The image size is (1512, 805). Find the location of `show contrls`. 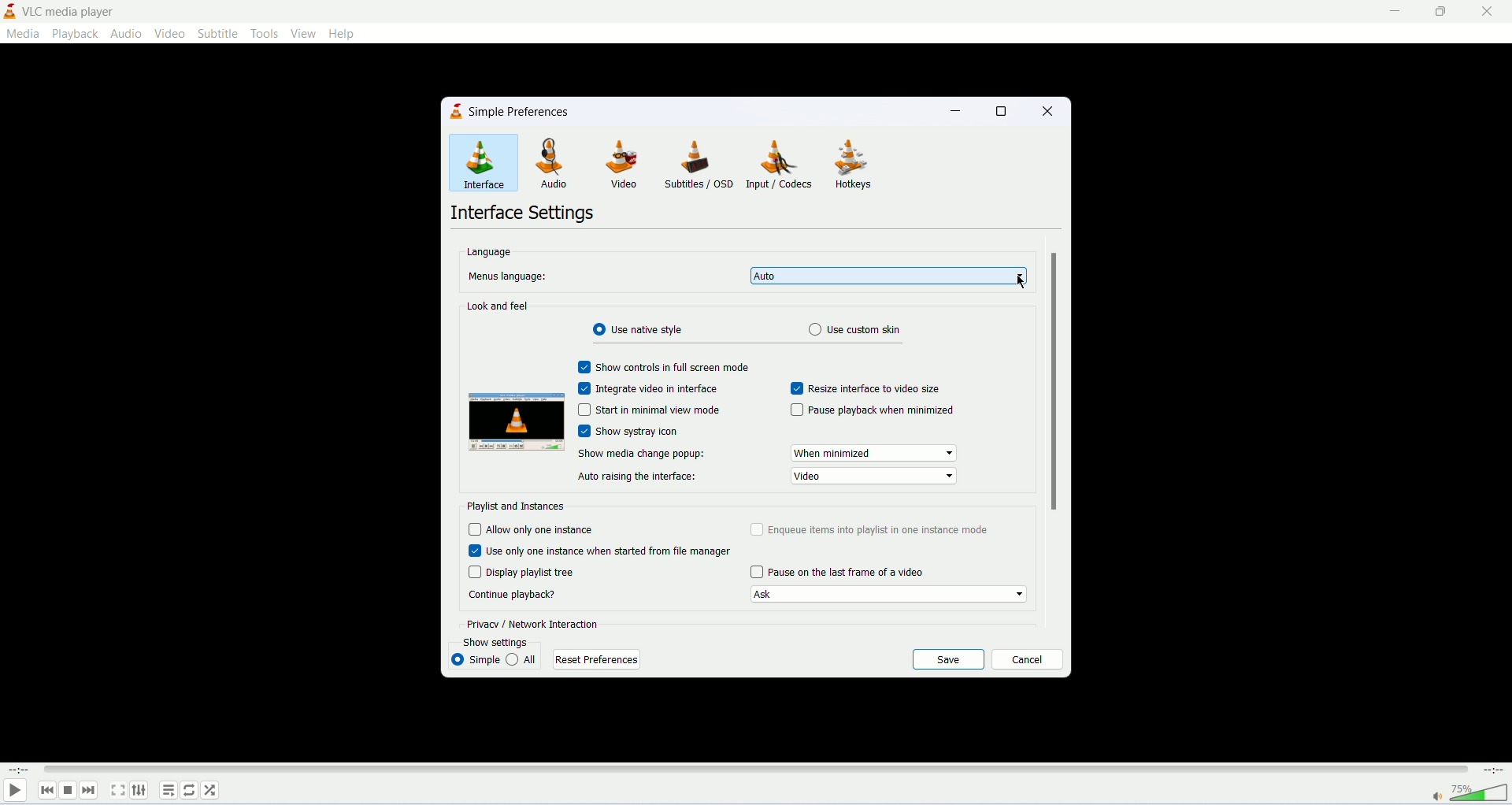

show contrls is located at coordinates (662, 365).